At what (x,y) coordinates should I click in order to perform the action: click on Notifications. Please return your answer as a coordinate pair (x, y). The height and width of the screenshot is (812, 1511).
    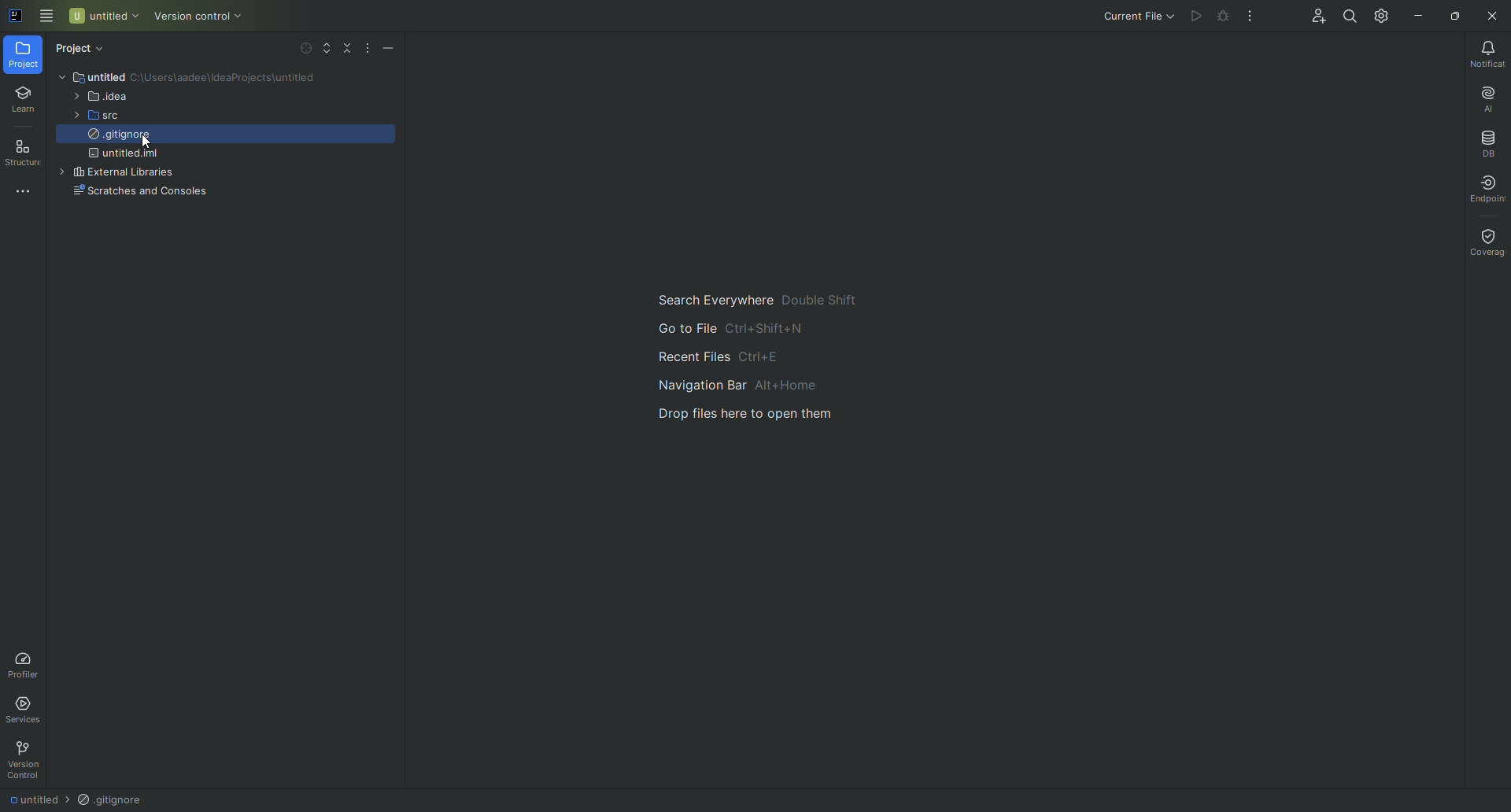
    Looking at the image, I should click on (1487, 54).